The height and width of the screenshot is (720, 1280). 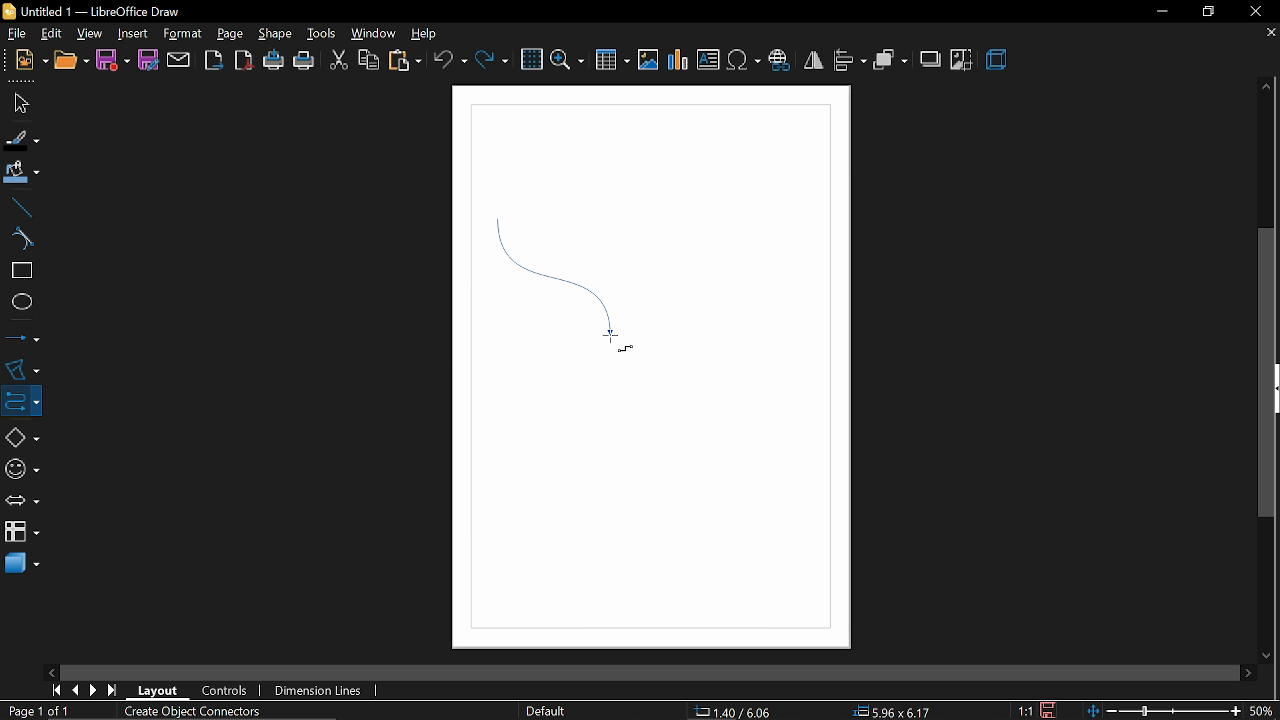 I want to click on Cursor, so click(x=614, y=344).